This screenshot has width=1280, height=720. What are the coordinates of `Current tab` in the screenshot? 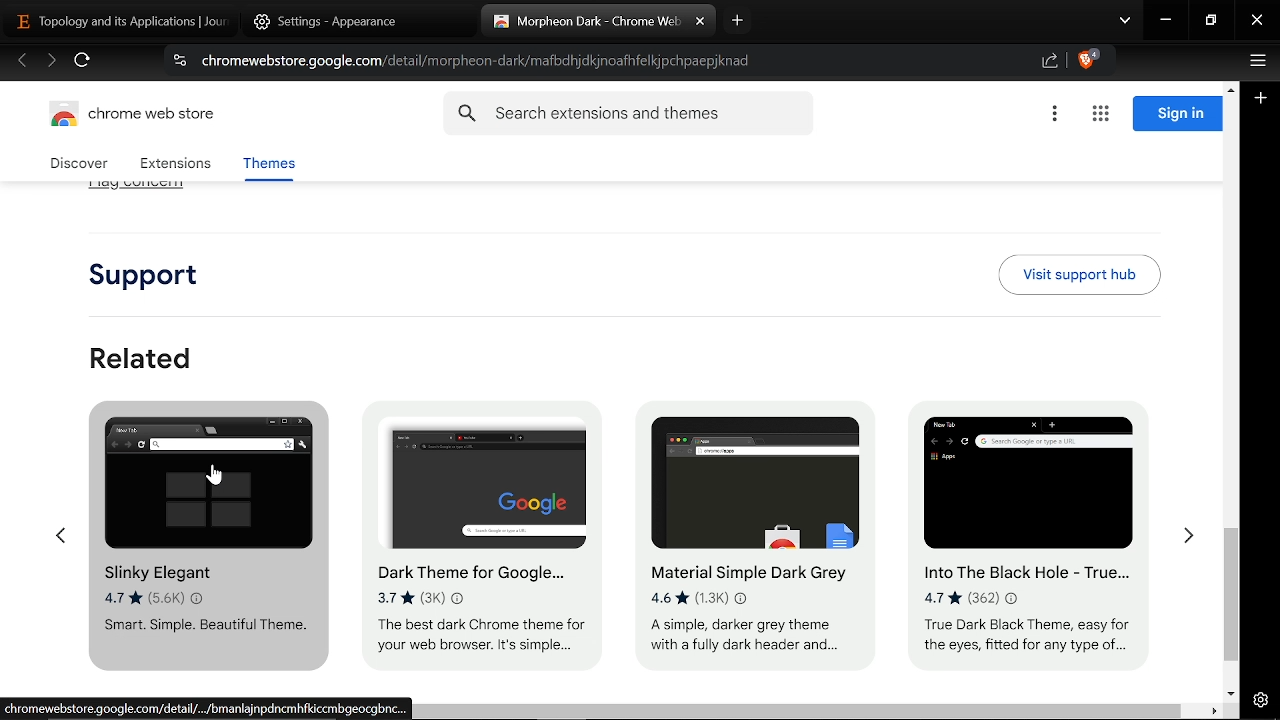 It's located at (585, 22).